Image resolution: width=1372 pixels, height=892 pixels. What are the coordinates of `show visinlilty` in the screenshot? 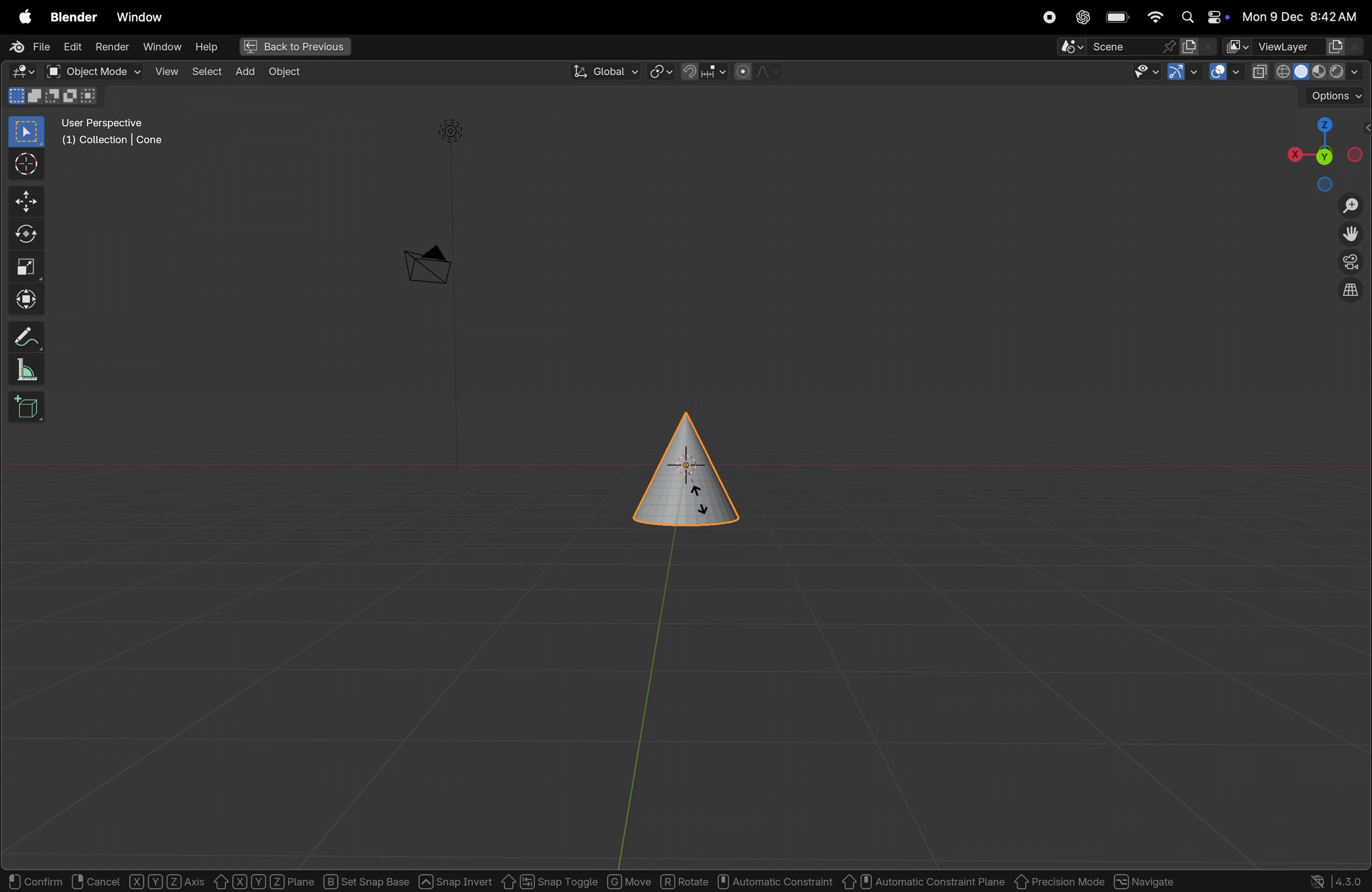 It's located at (1147, 72).